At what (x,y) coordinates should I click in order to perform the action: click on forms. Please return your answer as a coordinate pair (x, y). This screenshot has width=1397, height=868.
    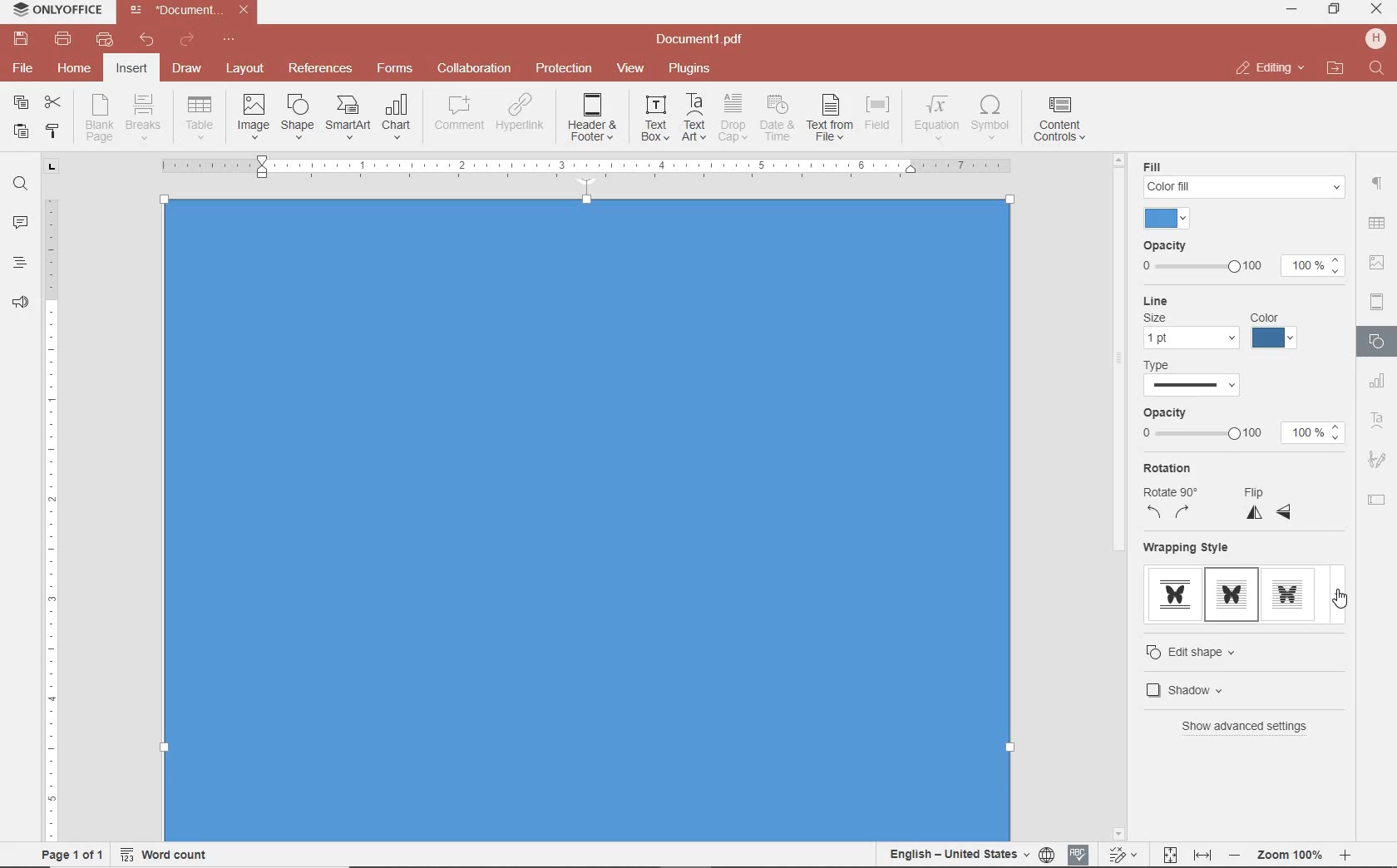
    Looking at the image, I should click on (395, 68).